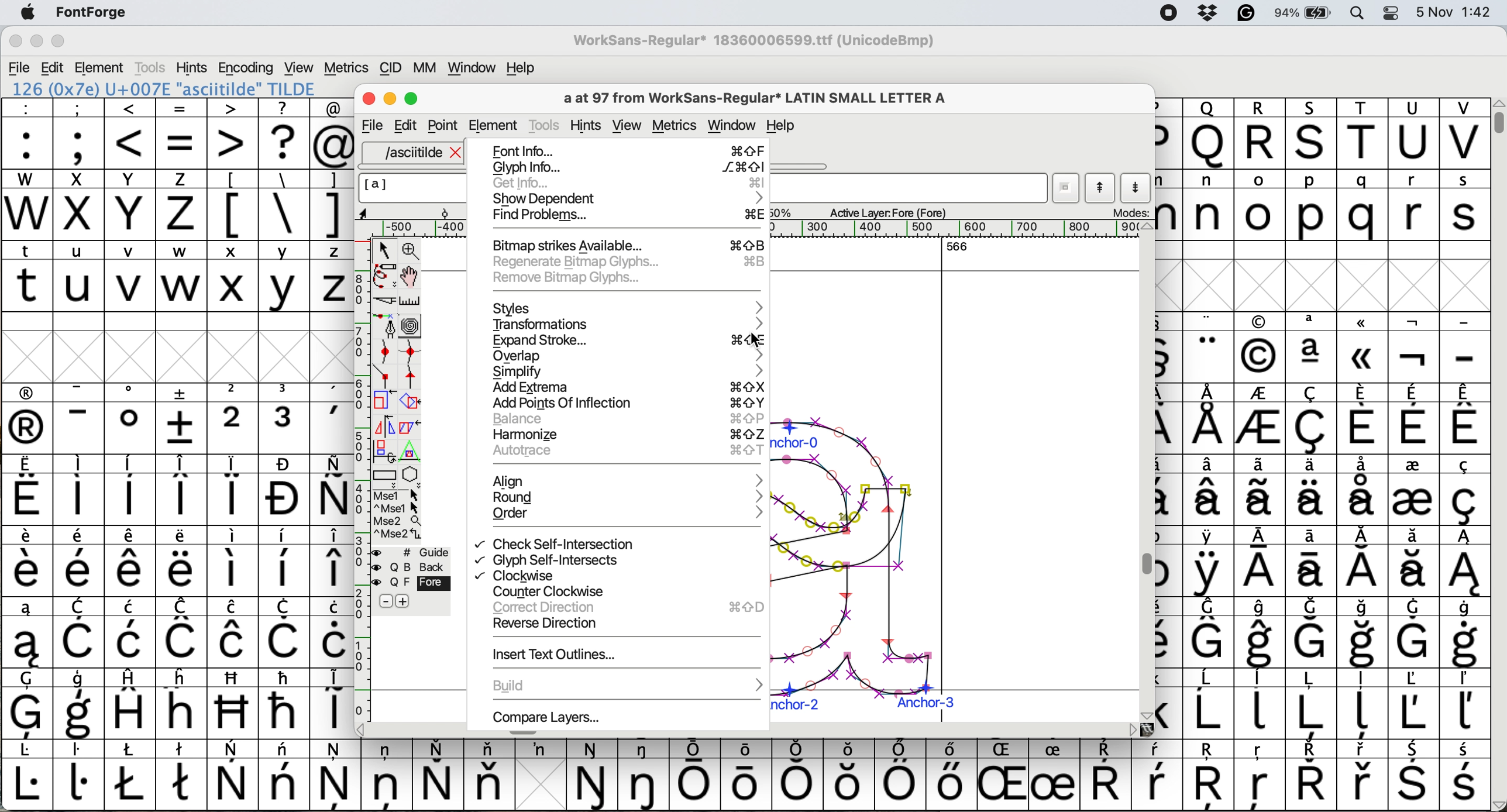 This screenshot has height=812, width=1507. Describe the element at coordinates (1312, 633) in the screenshot. I see `symbol` at that location.